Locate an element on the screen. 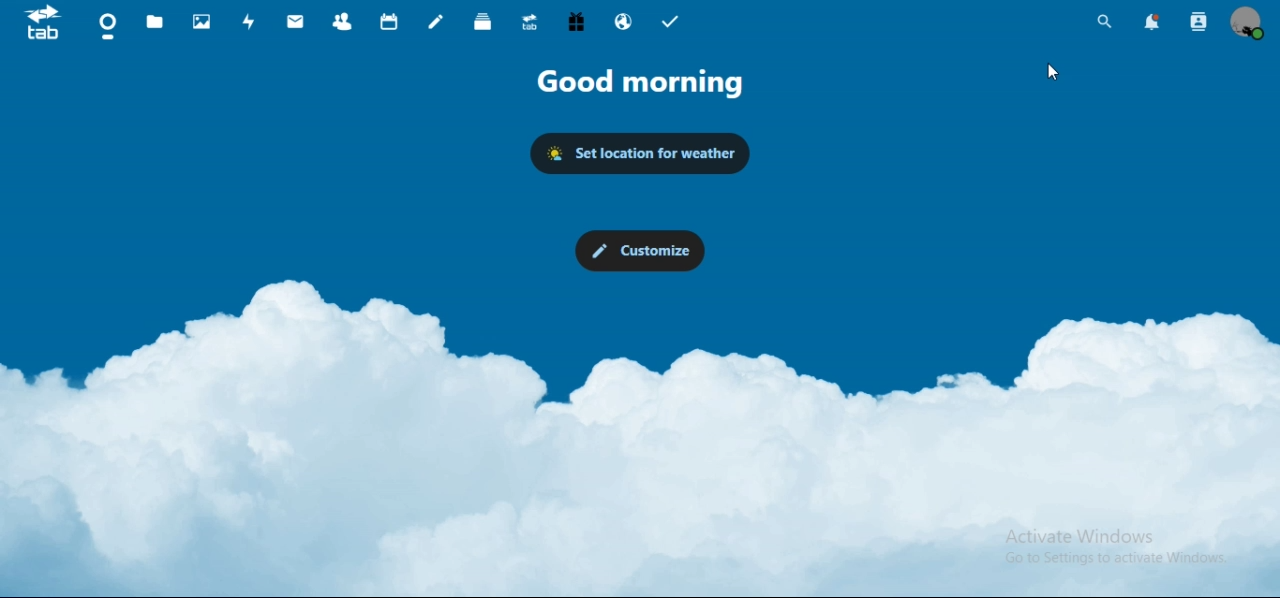  email hosting is located at coordinates (623, 22).